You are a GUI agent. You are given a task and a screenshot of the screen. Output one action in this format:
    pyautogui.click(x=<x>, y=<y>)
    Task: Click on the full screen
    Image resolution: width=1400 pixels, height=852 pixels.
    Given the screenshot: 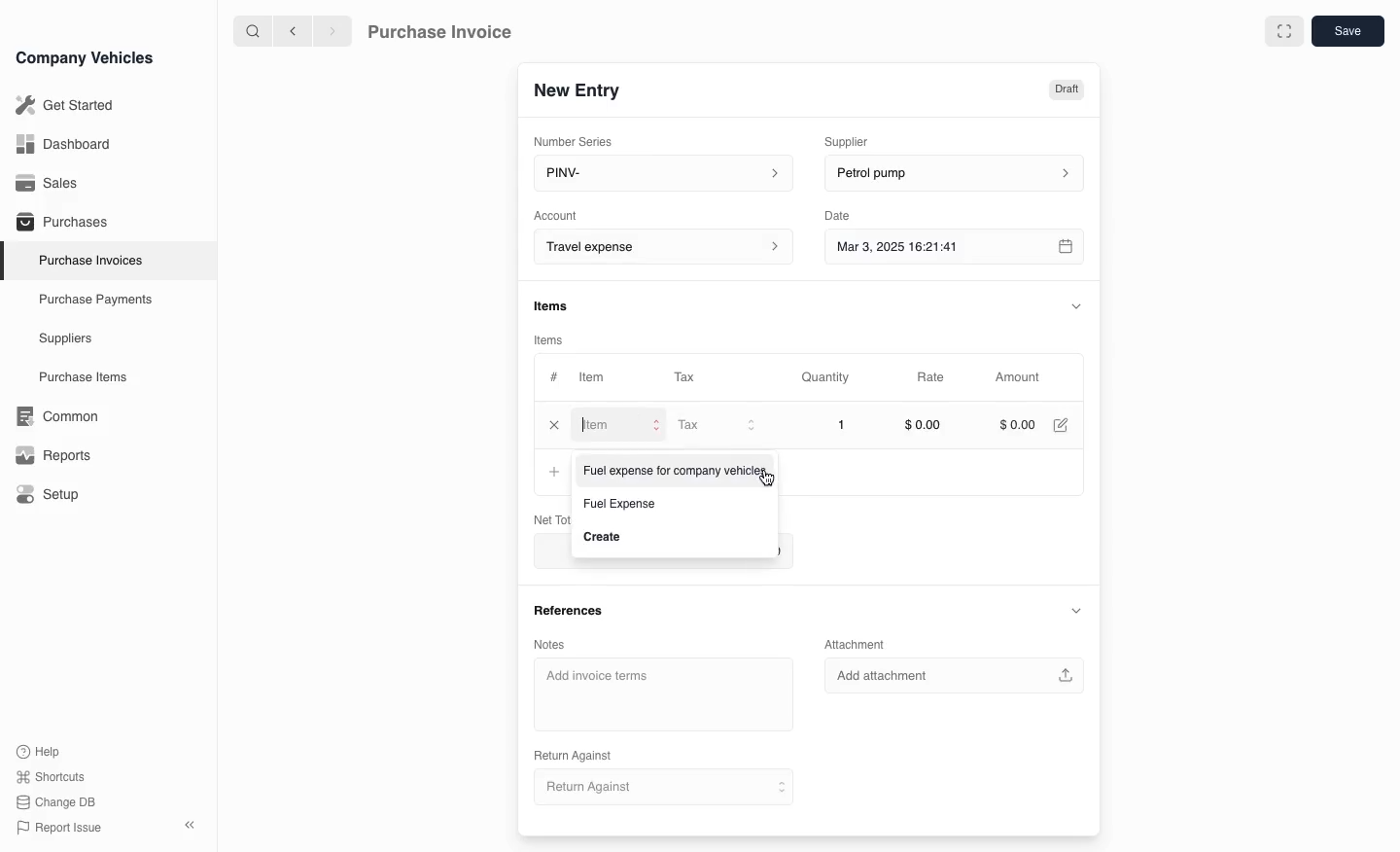 What is the action you would take?
    pyautogui.click(x=1283, y=31)
    